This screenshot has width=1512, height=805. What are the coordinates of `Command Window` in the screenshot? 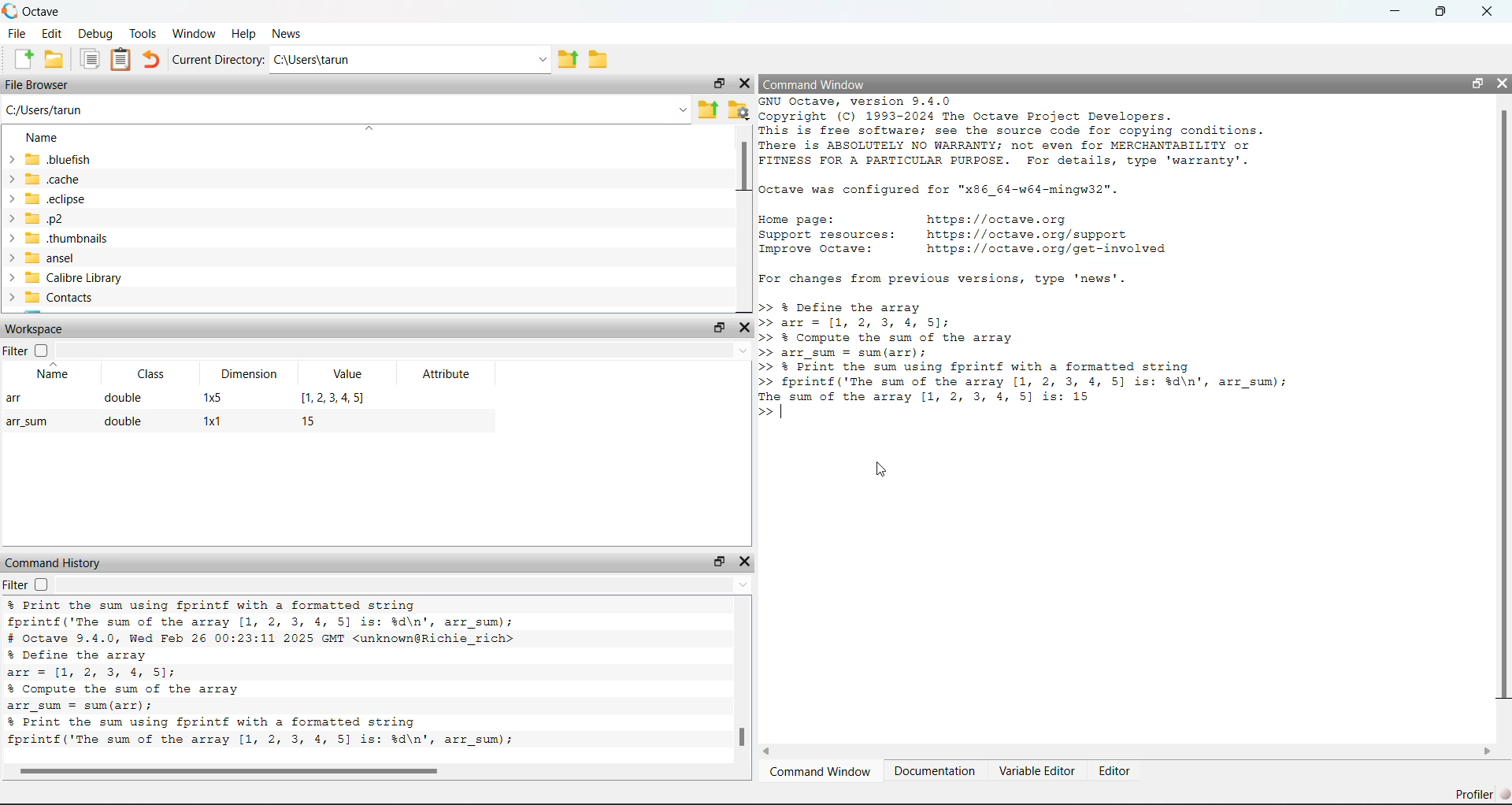 It's located at (845, 83).